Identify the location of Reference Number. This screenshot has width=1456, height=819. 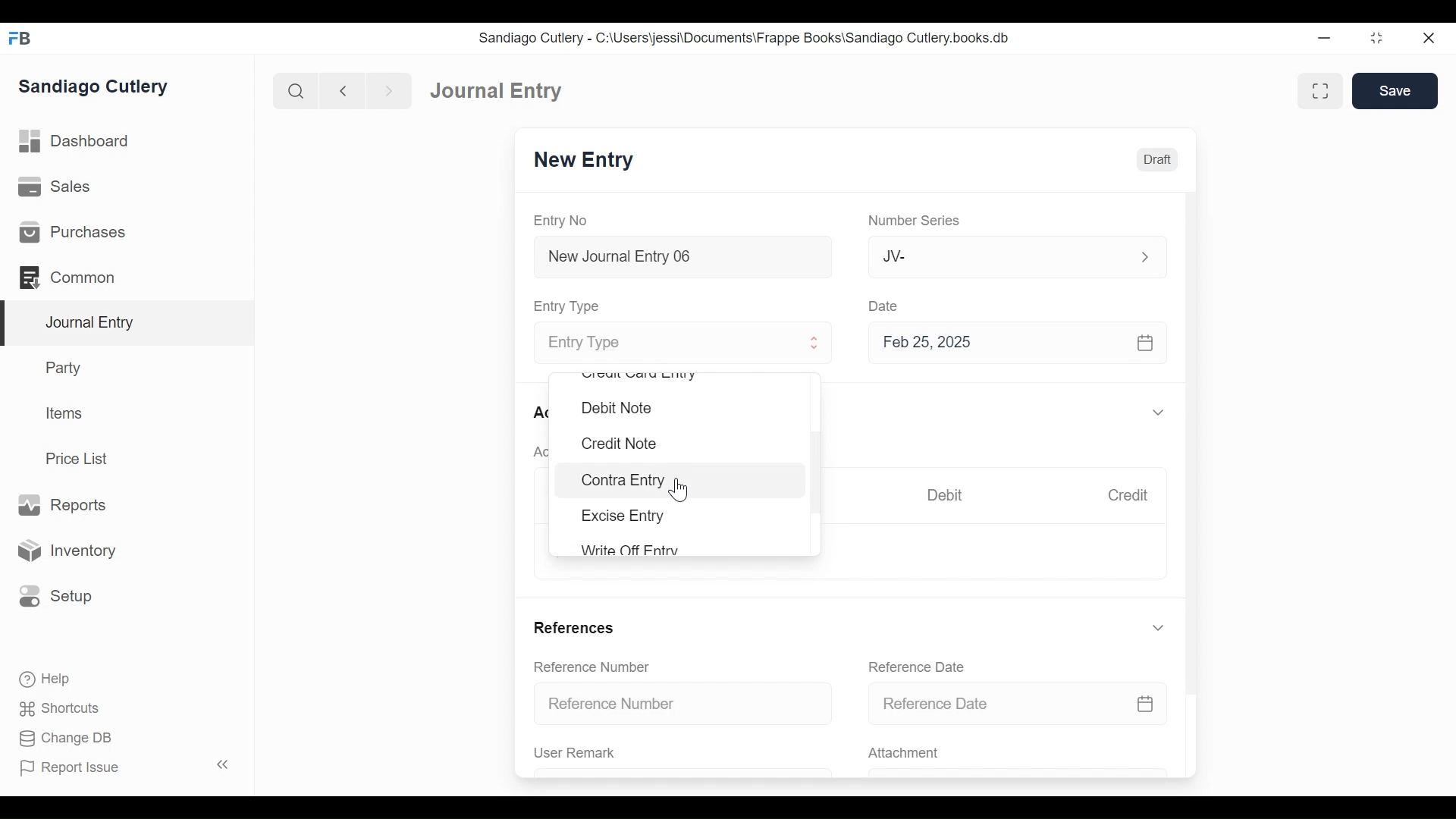
(684, 702).